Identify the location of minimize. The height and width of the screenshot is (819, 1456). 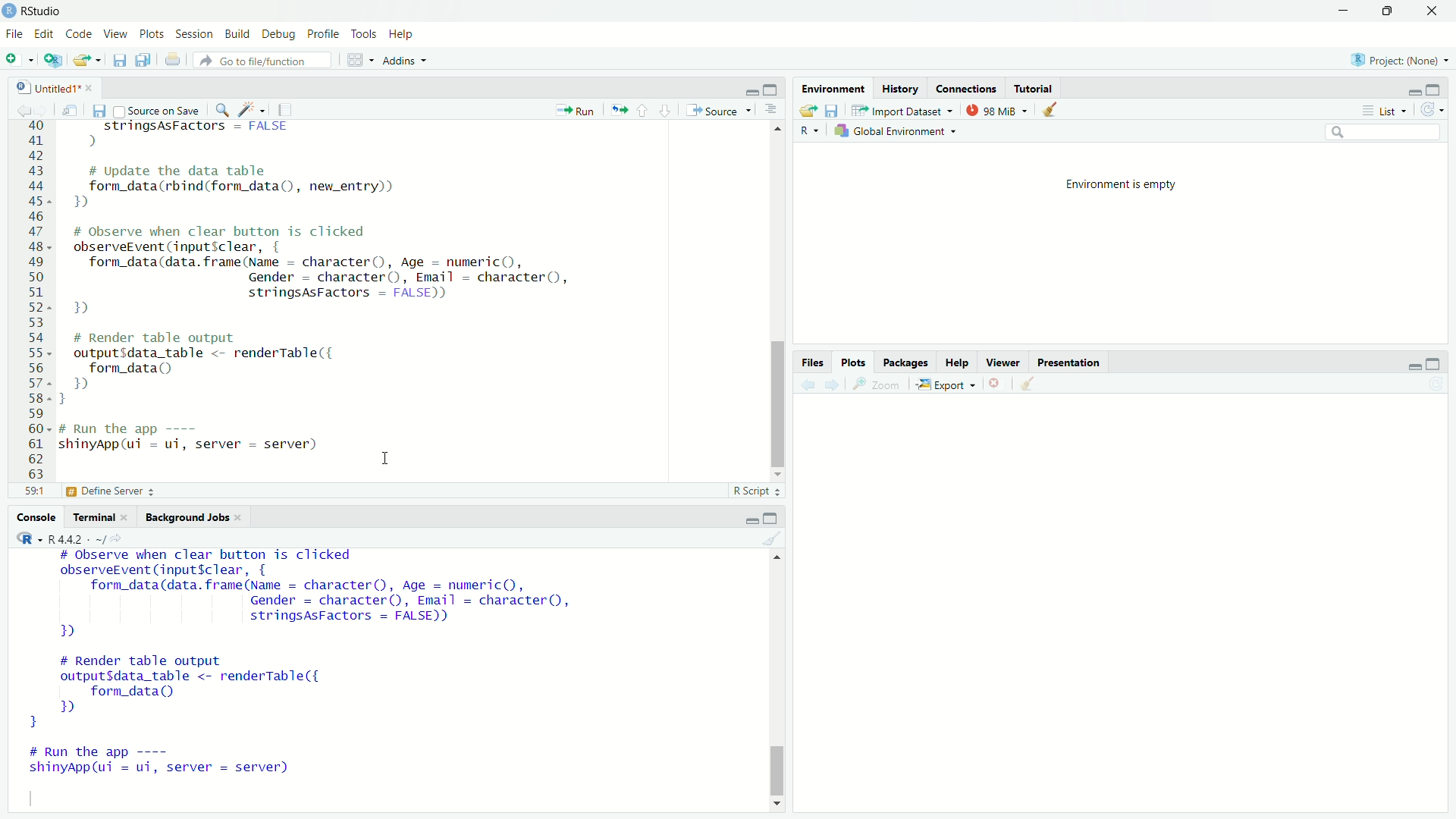
(750, 518).